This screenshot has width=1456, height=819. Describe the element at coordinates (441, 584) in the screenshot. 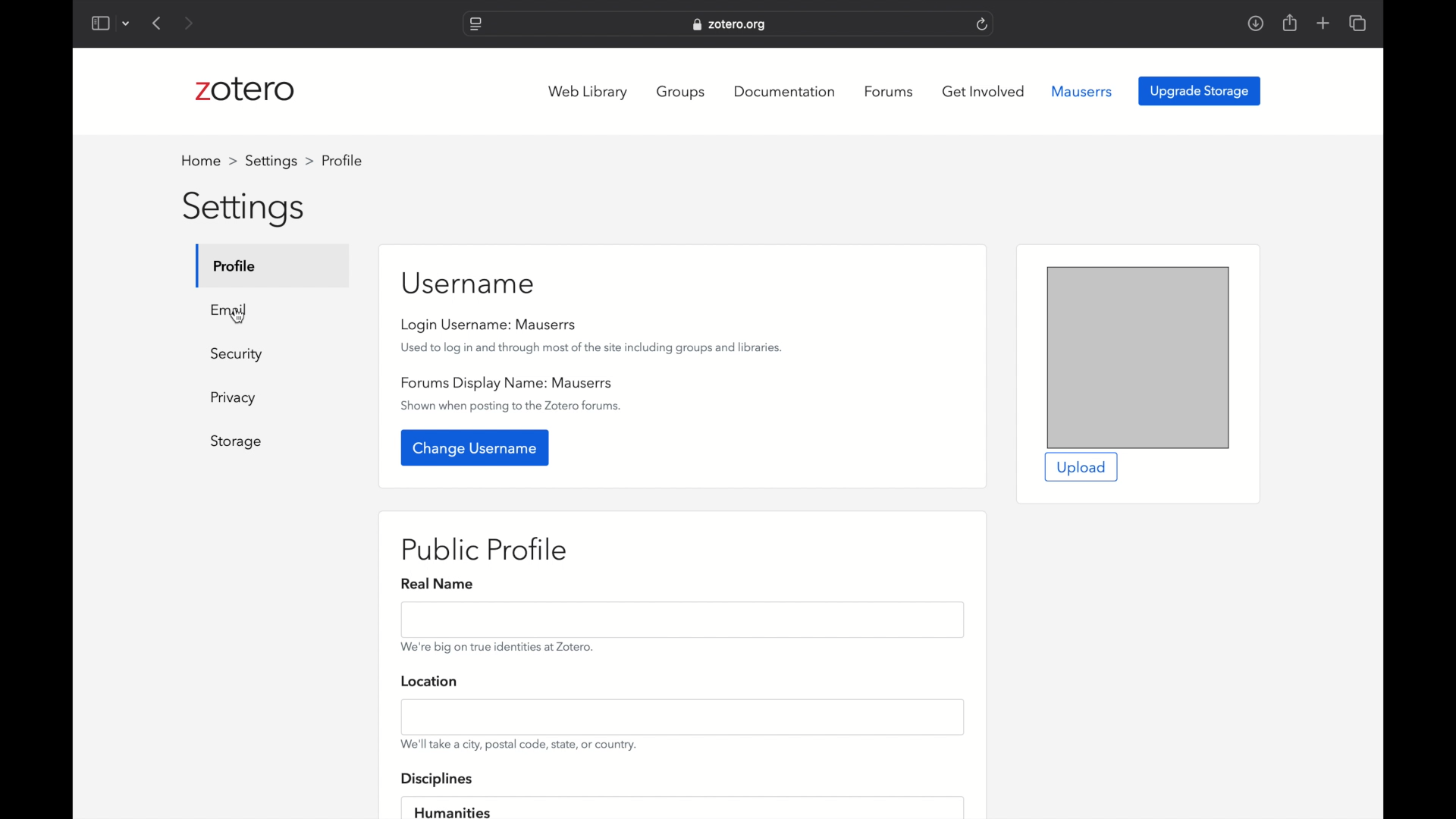

I see `real name` at that location.